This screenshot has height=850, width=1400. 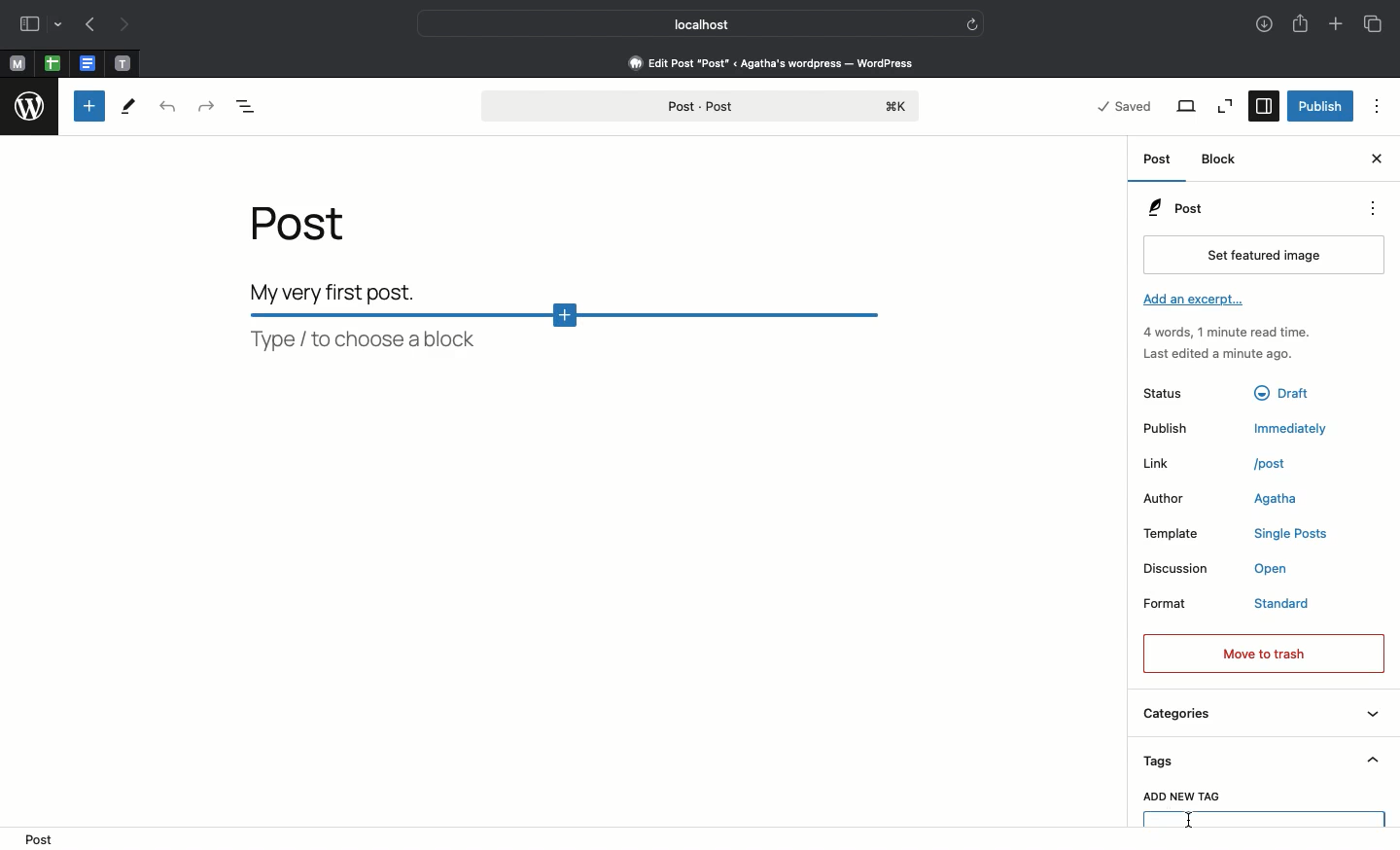 What do you see at coordinates (1190, 820) in the screenshot?
I see `cursor` at bounding box center [1190, 820].